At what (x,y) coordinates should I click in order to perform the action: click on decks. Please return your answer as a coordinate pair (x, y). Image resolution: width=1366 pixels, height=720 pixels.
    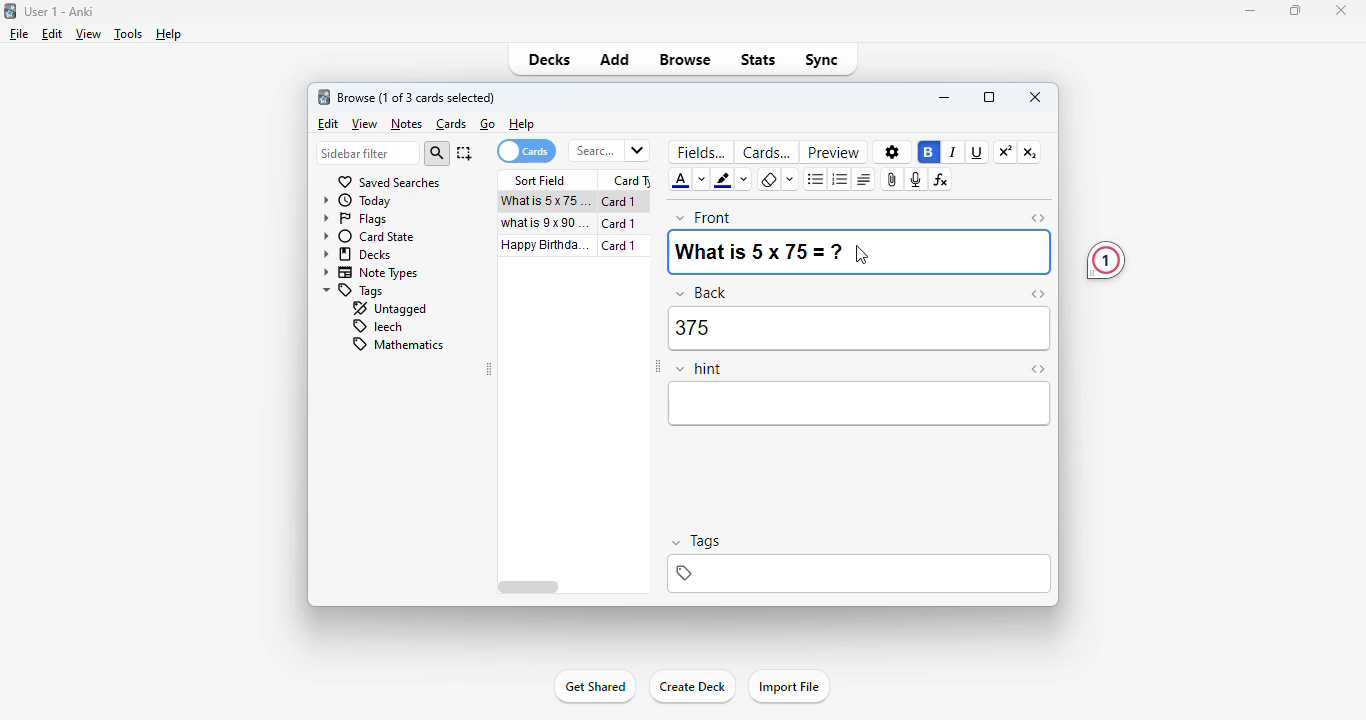
    Looking at the image, I should click on (551, 59).